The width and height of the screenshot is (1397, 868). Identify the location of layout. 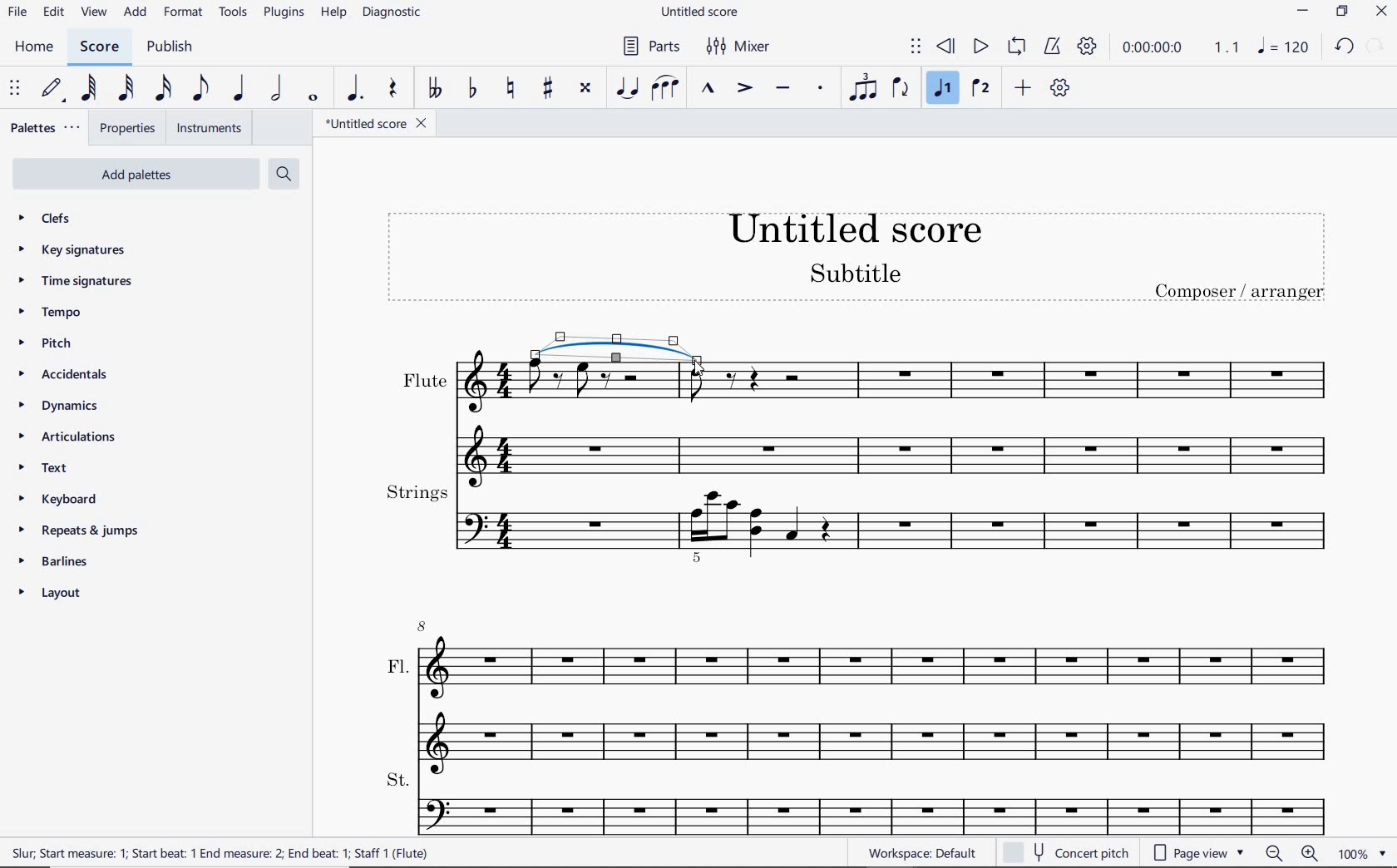
(51, 594).